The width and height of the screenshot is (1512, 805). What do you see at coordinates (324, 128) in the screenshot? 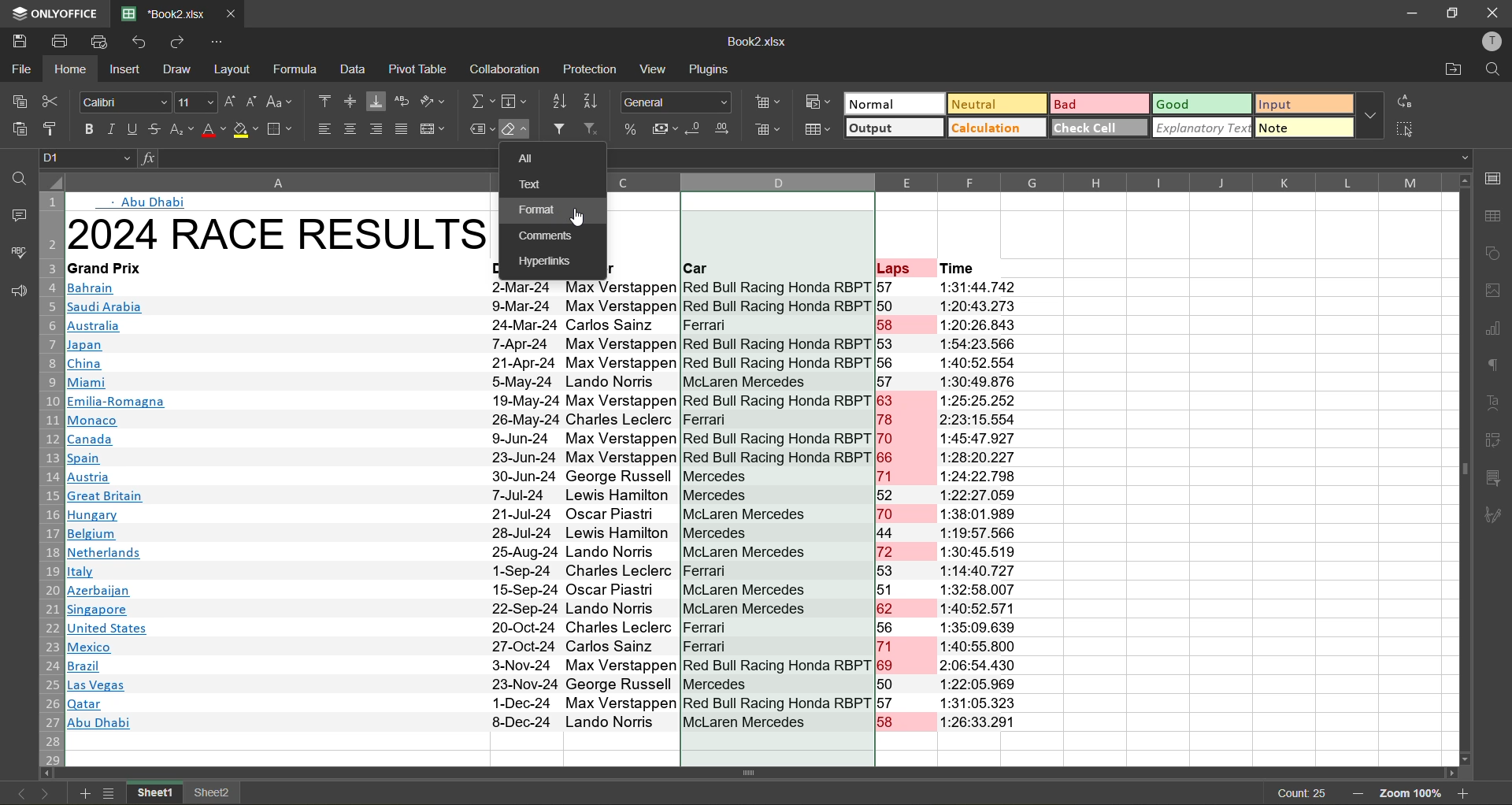
I see `align left` at bounding box center [324, 128].